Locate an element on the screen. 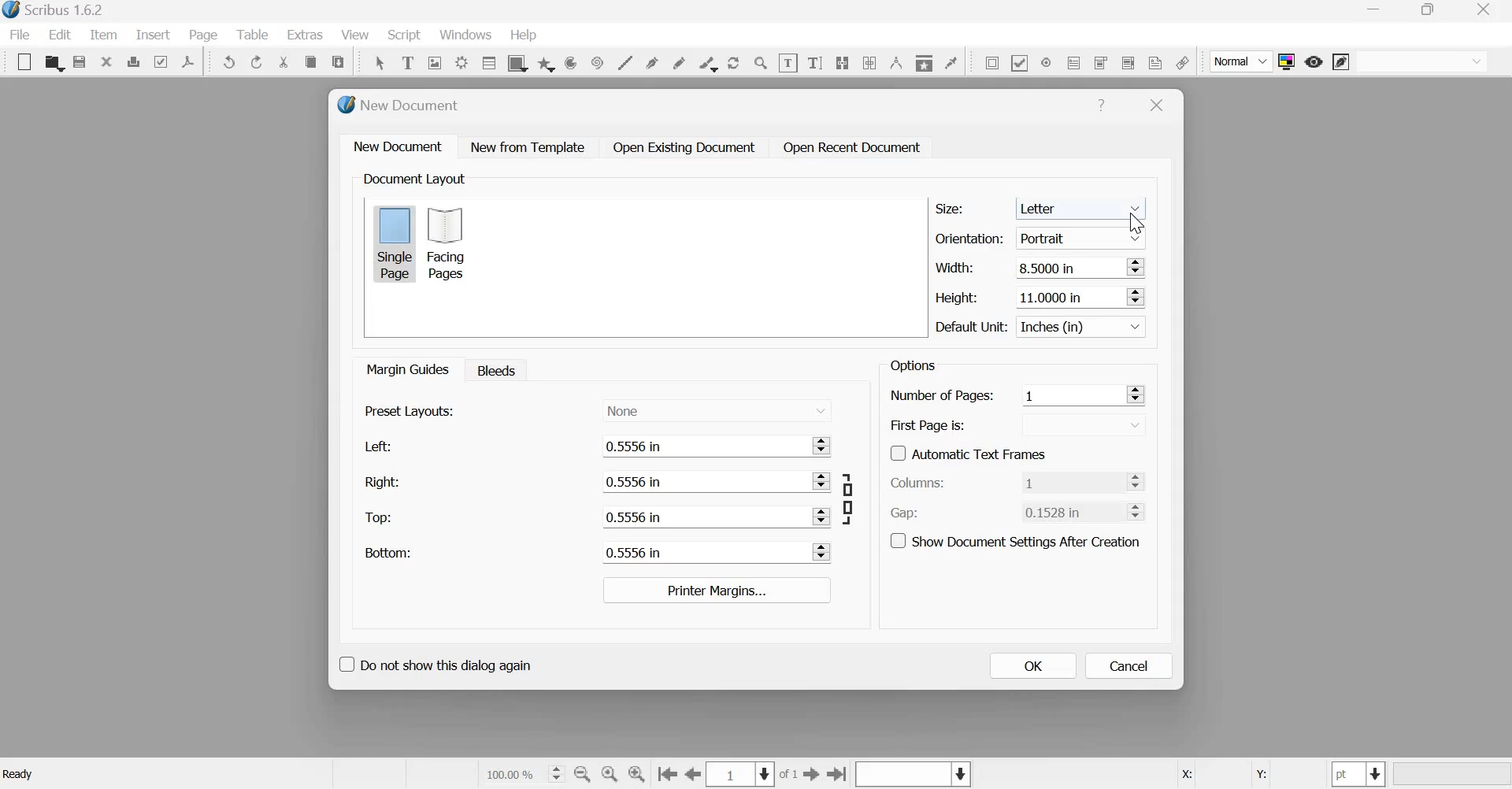 The width and height of the screenshot is (1512, 789). unlink text frames is located at coordinates (869, 61).